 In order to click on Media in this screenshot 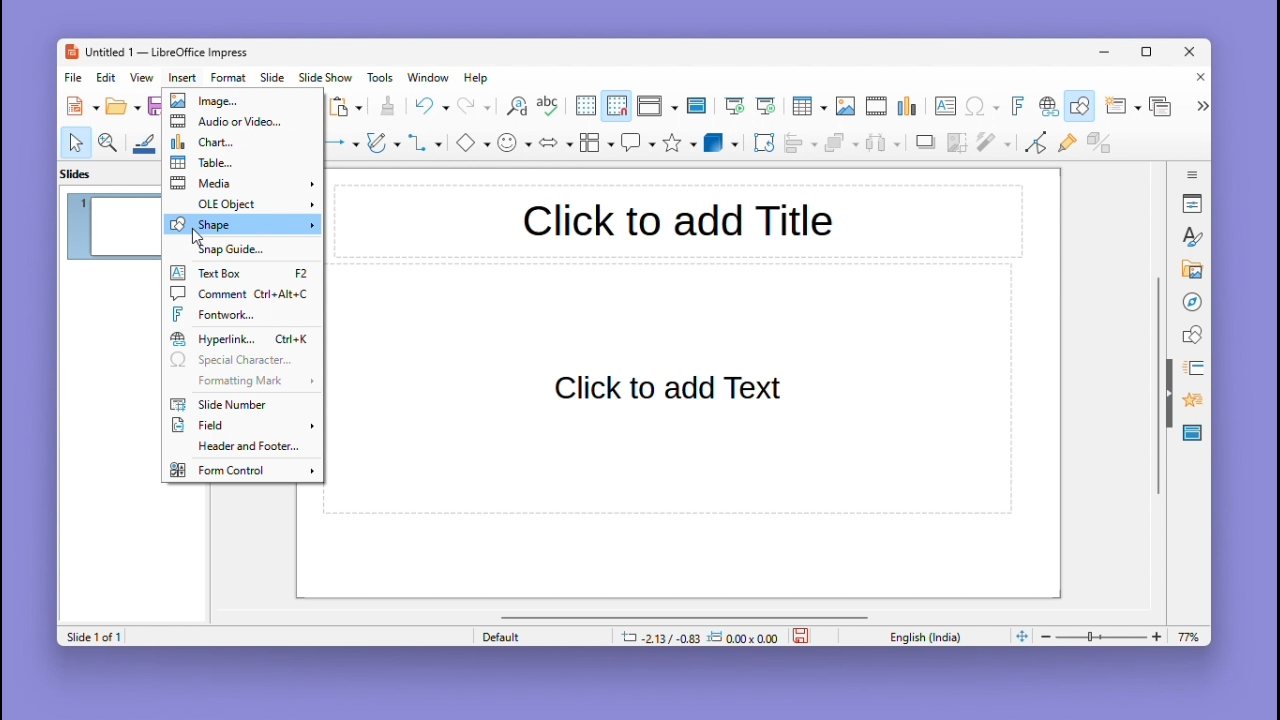, I will do `click(242, 183)`.